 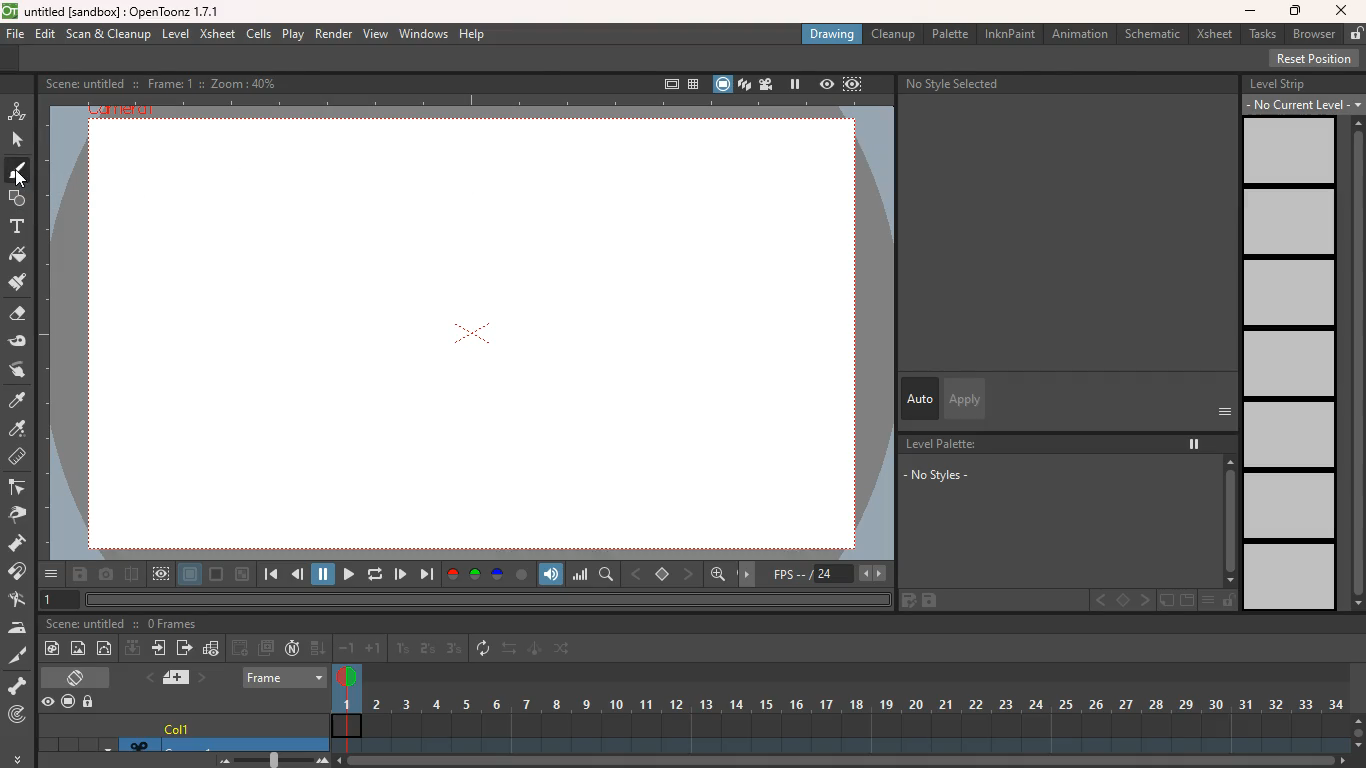 I want to click on 0 Frames, so click(x=173, y=624).